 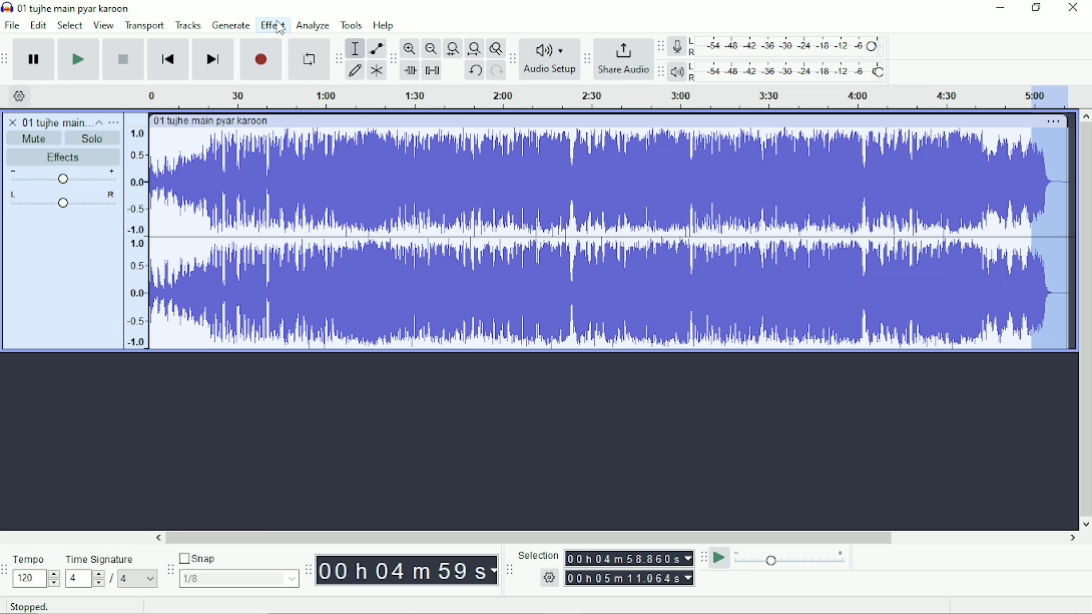 I want to click on Audio Setup, so click(x=550, y=59).